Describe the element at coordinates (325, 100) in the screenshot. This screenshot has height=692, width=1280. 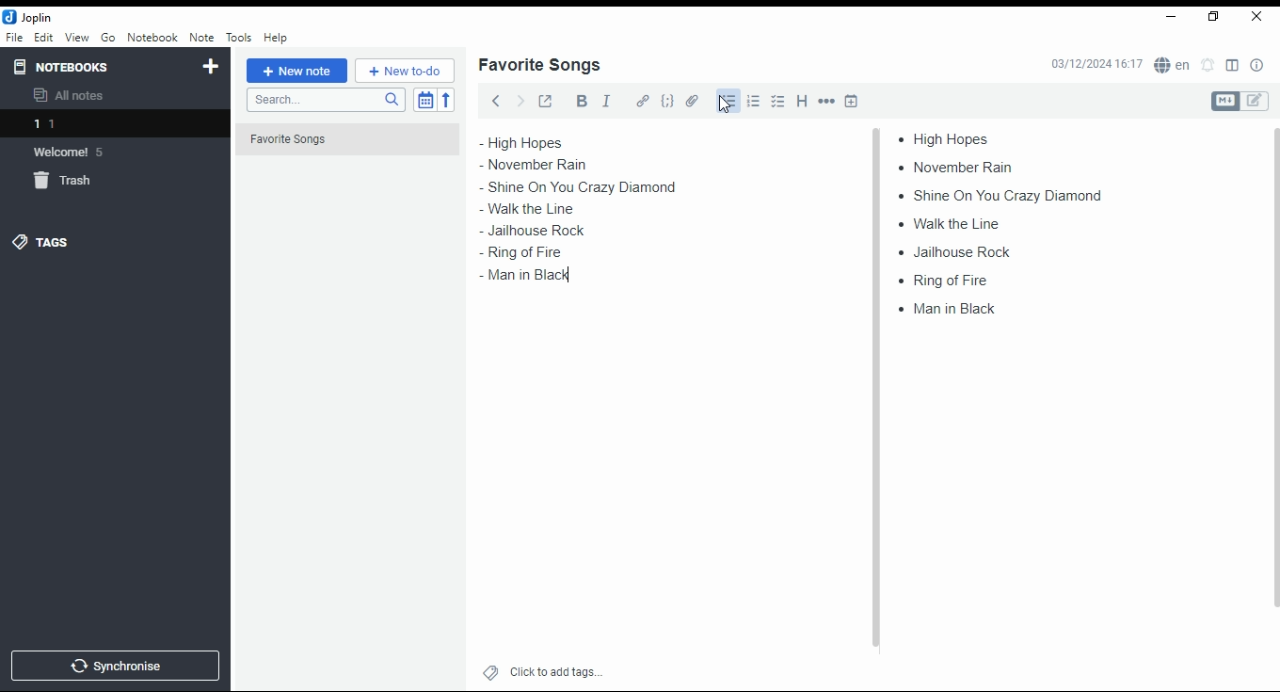
I see `search` at that location.